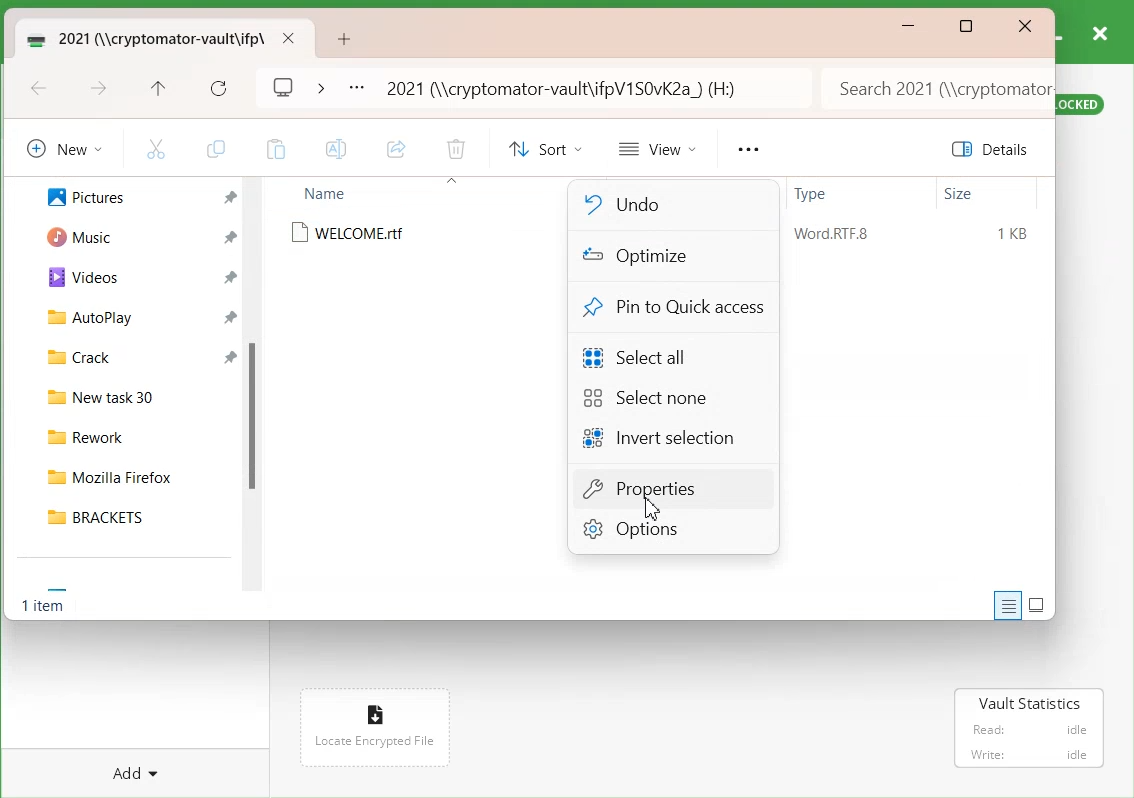 The width and height of the screenshot is (1134, 798). I want to click on Delete, so click(455, 151).